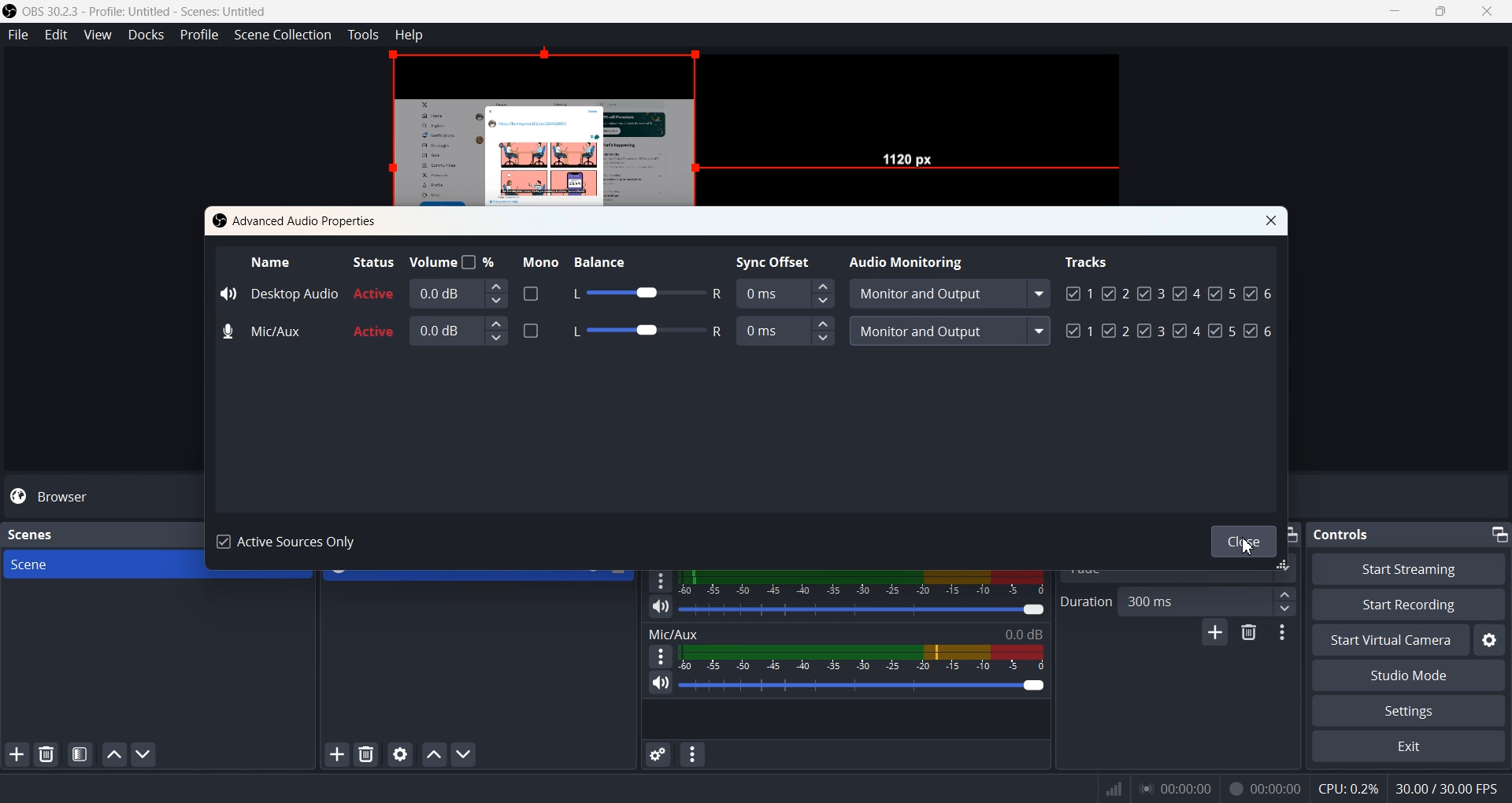 This screenshot has height=803, width=1512. I want to click on Delete selected sources, so click(369, 754).